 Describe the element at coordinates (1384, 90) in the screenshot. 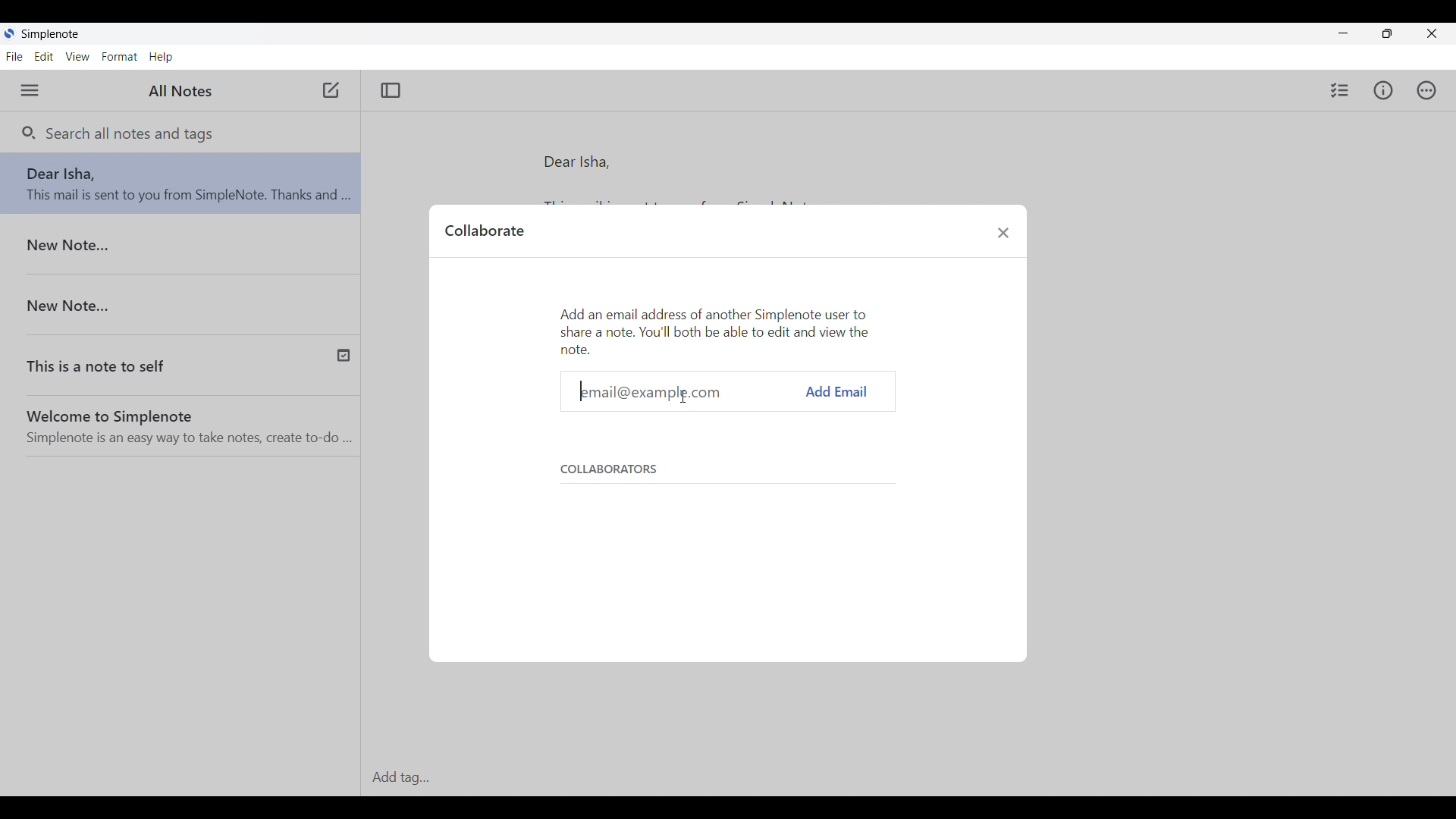

I see `Info` at that location.